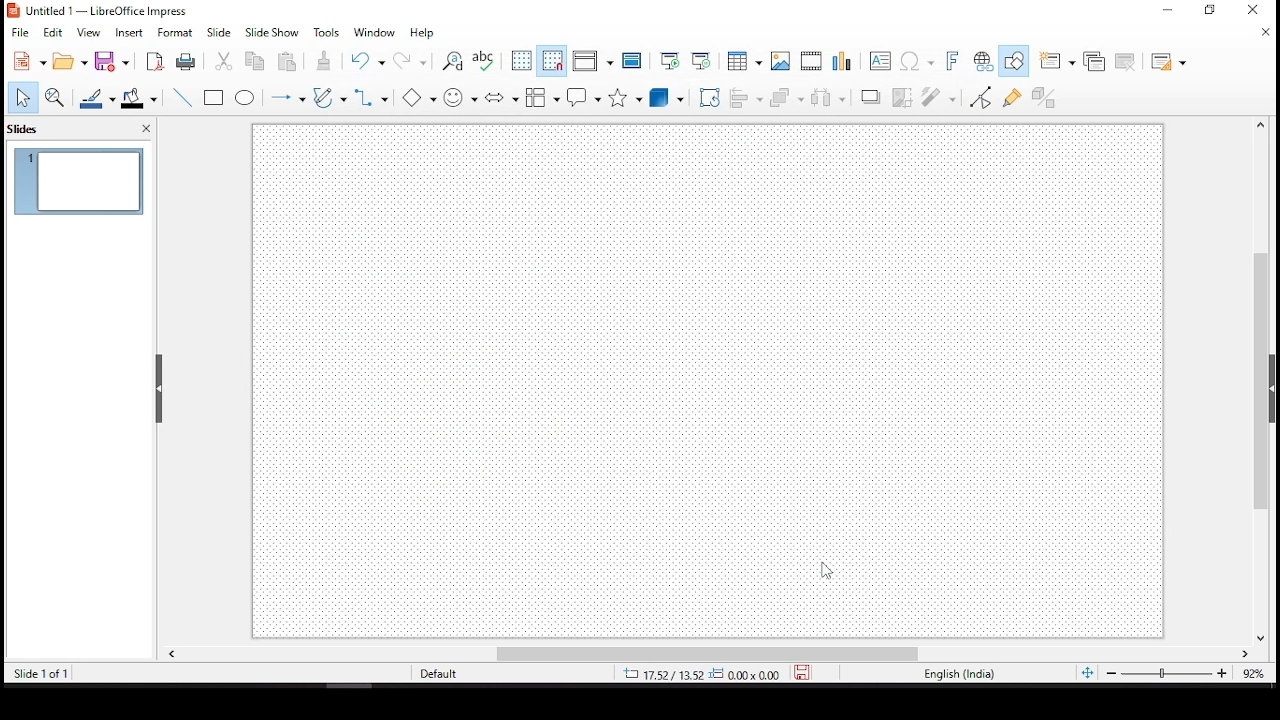  Describe the element at coordinates (155, 60) in the screenshot. I see `export as pdf` at that location.